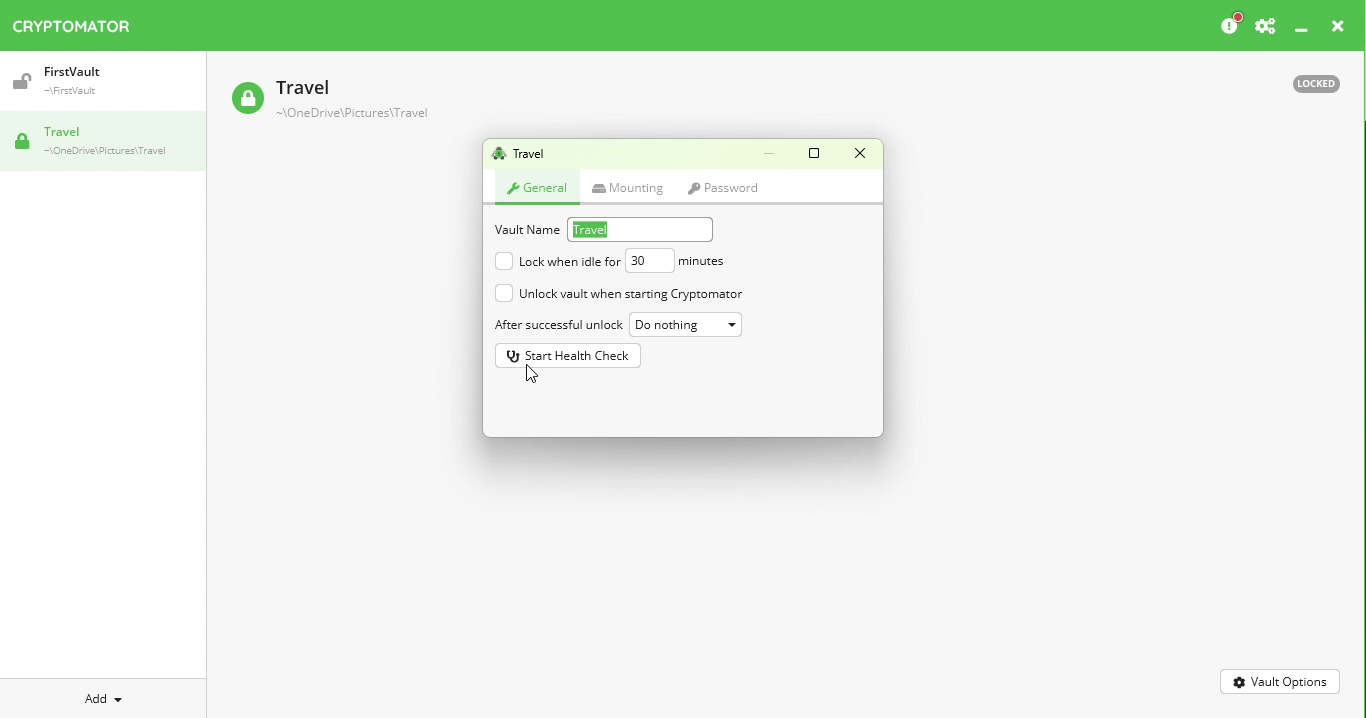 Image resolution: width=1366 pixels, height=718 pixels. Describe the element at coordinates (554, 324) in the screenshot. I see `After successful unlock` at that location.